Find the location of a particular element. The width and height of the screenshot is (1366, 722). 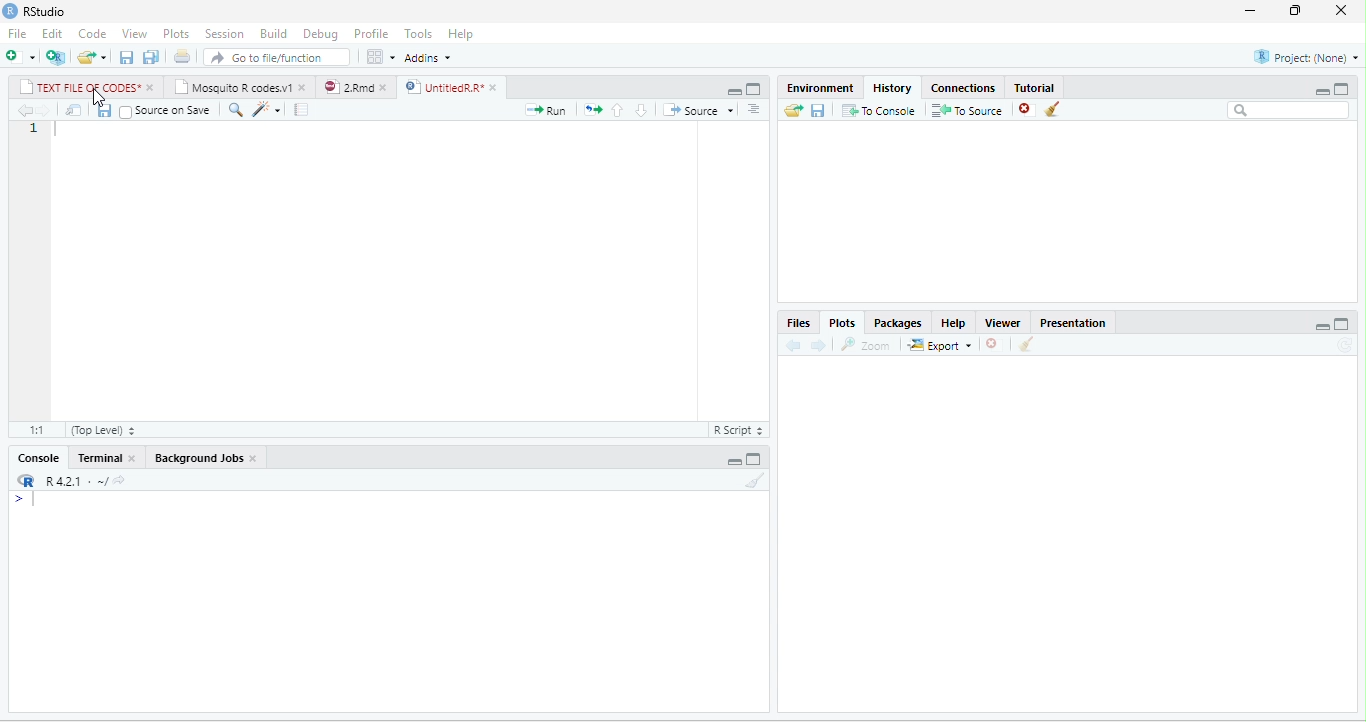

search file is located at coordinates (276, 57).